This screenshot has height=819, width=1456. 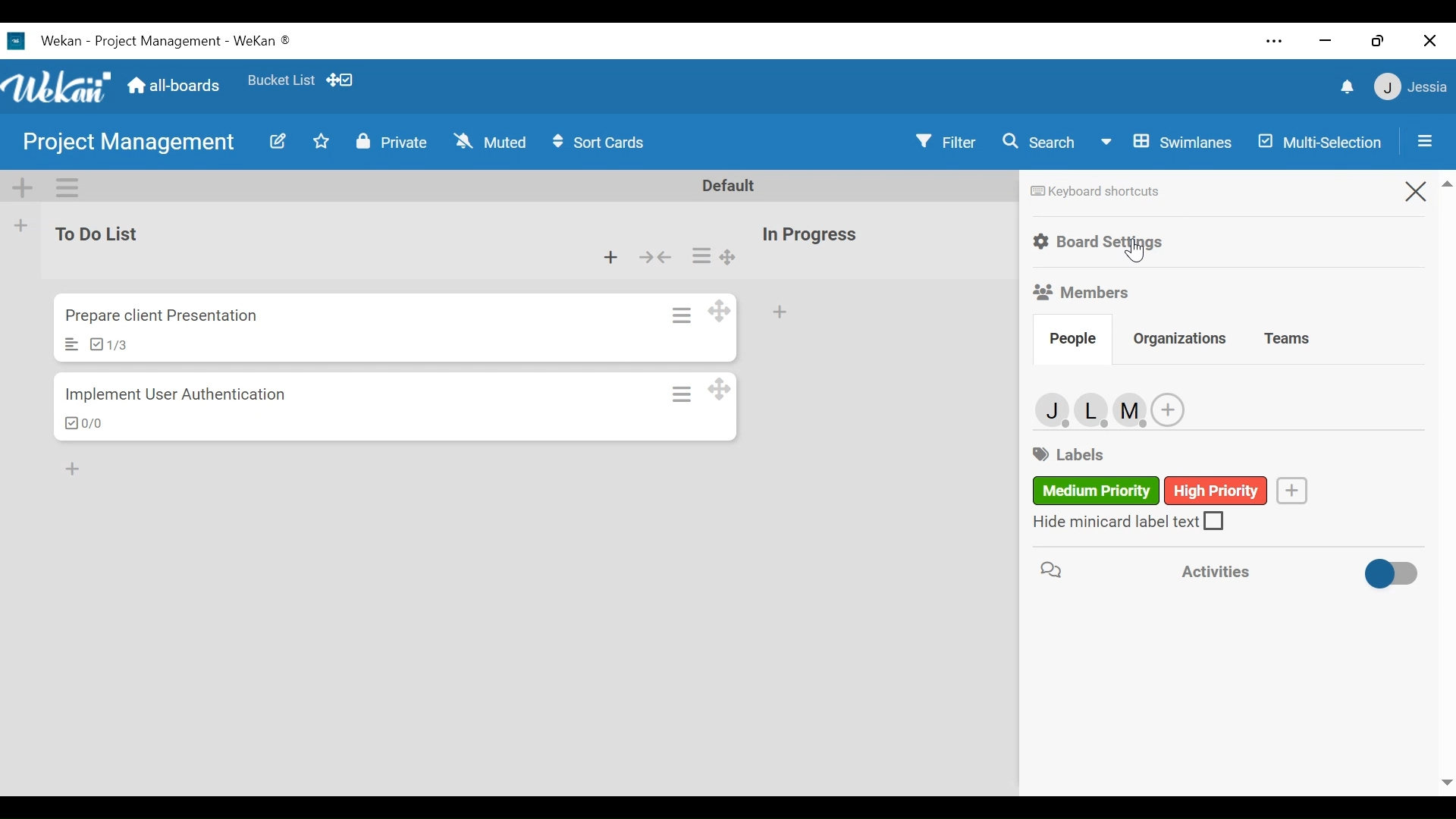 I want to click on close, so click(x=1427, y=38).